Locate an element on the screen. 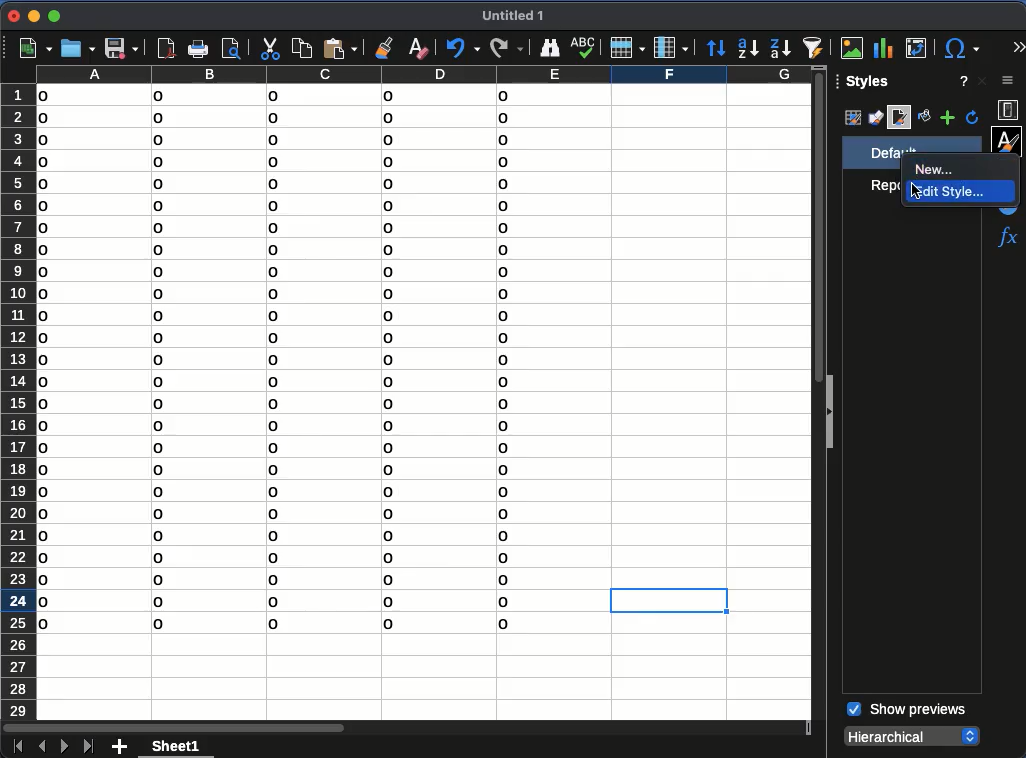 The height and width of the screenshot is (758, 1026). paste is located at coordinates (341, 47).